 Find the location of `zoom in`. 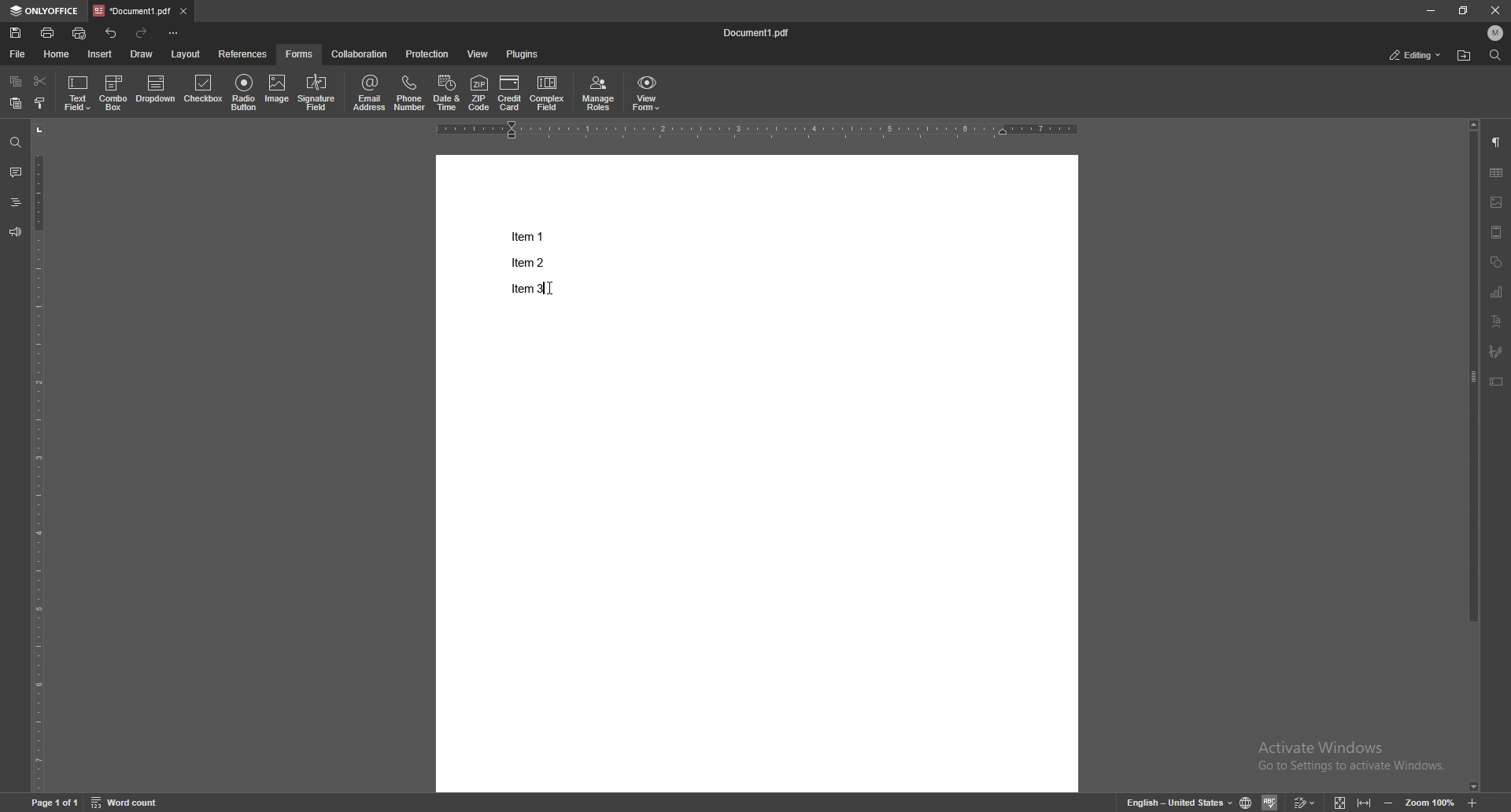

zoom in is located at coordinates (1472, 802).